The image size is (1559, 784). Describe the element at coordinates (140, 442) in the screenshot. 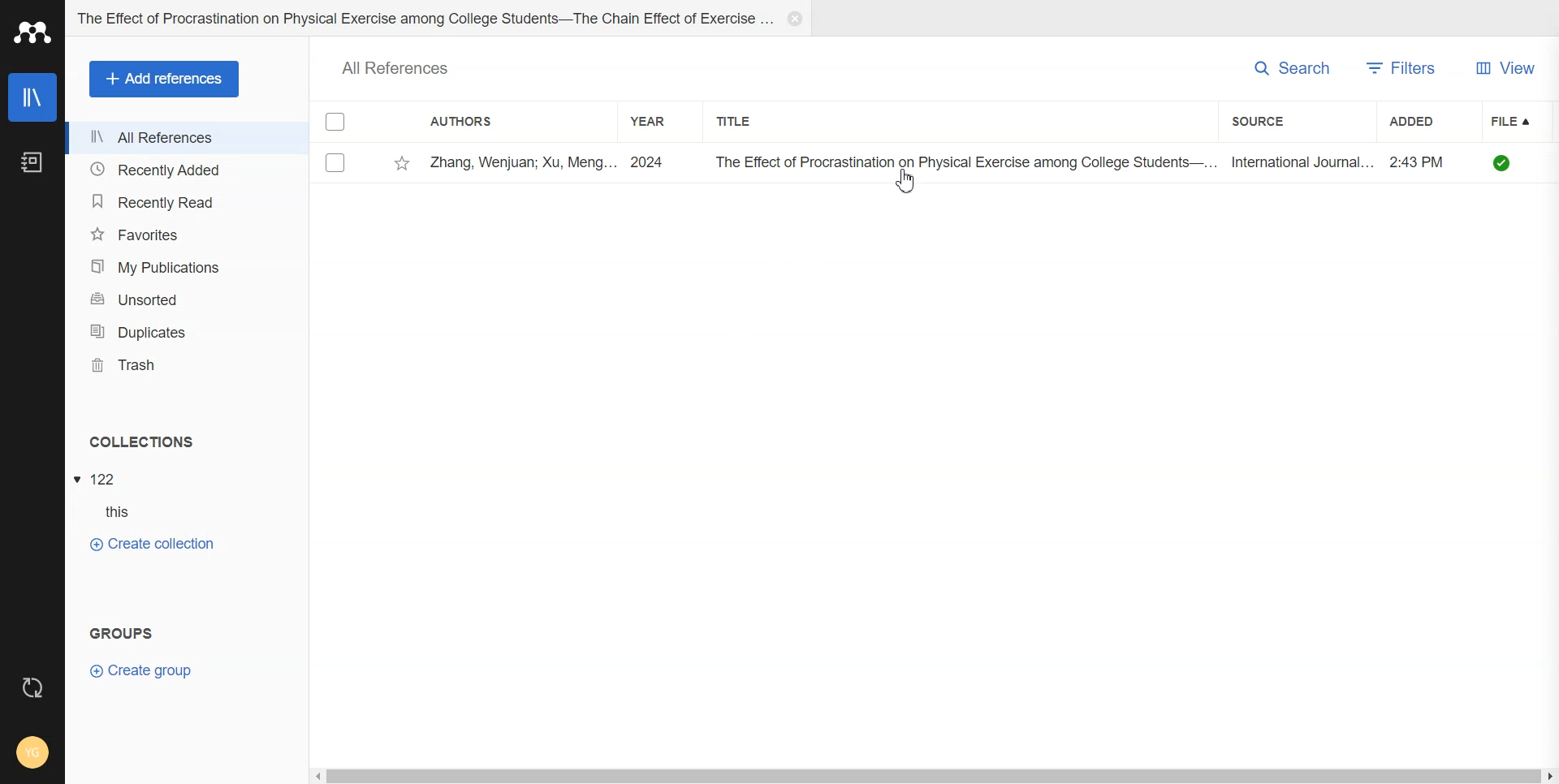

I see `Text` at that location.